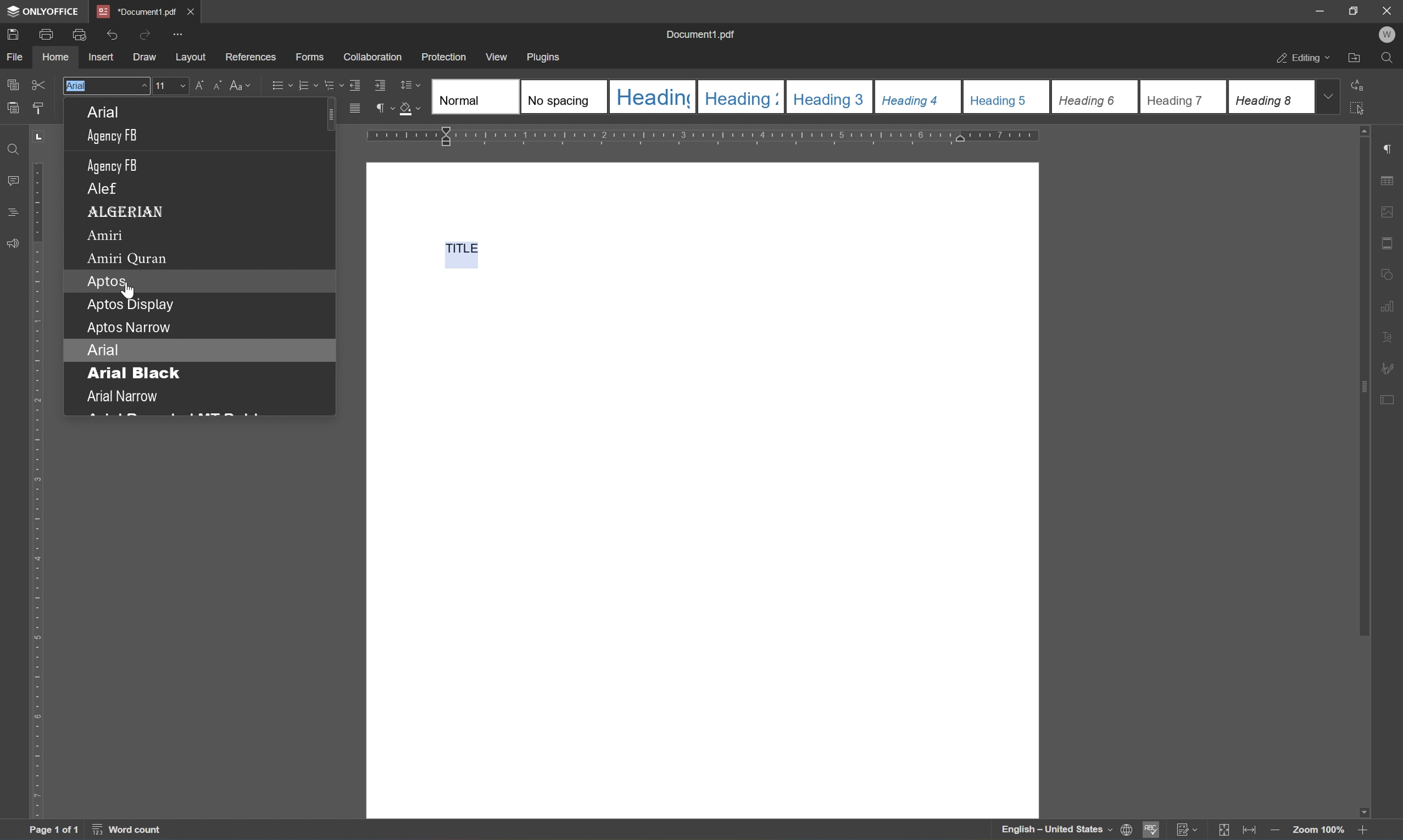  What do you see at coordinates (1358, 109) in the screenshot?
I see `select all` at bounding box center [1358, 109].